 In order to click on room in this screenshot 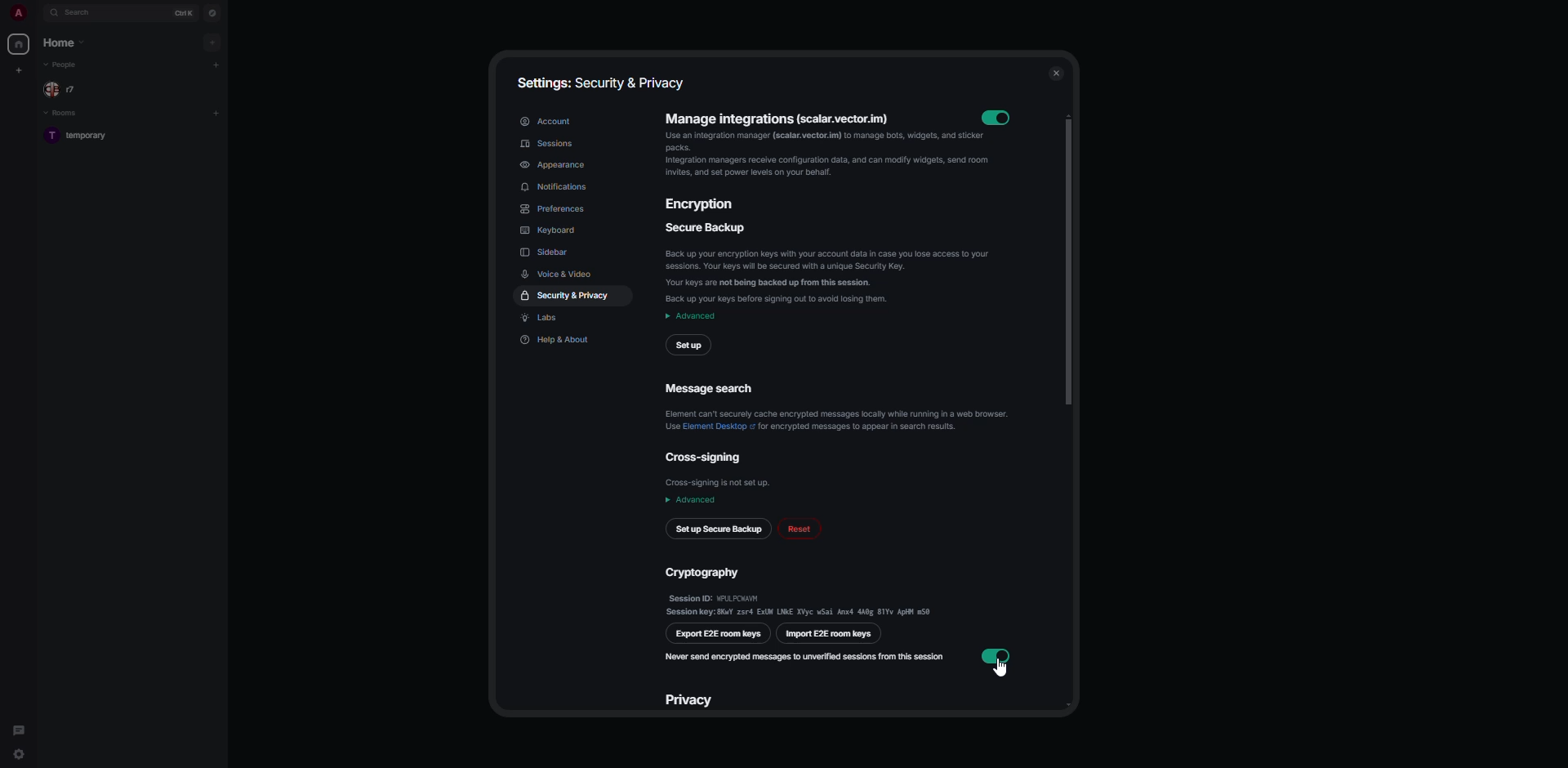, I will do `click(81, 136)`.